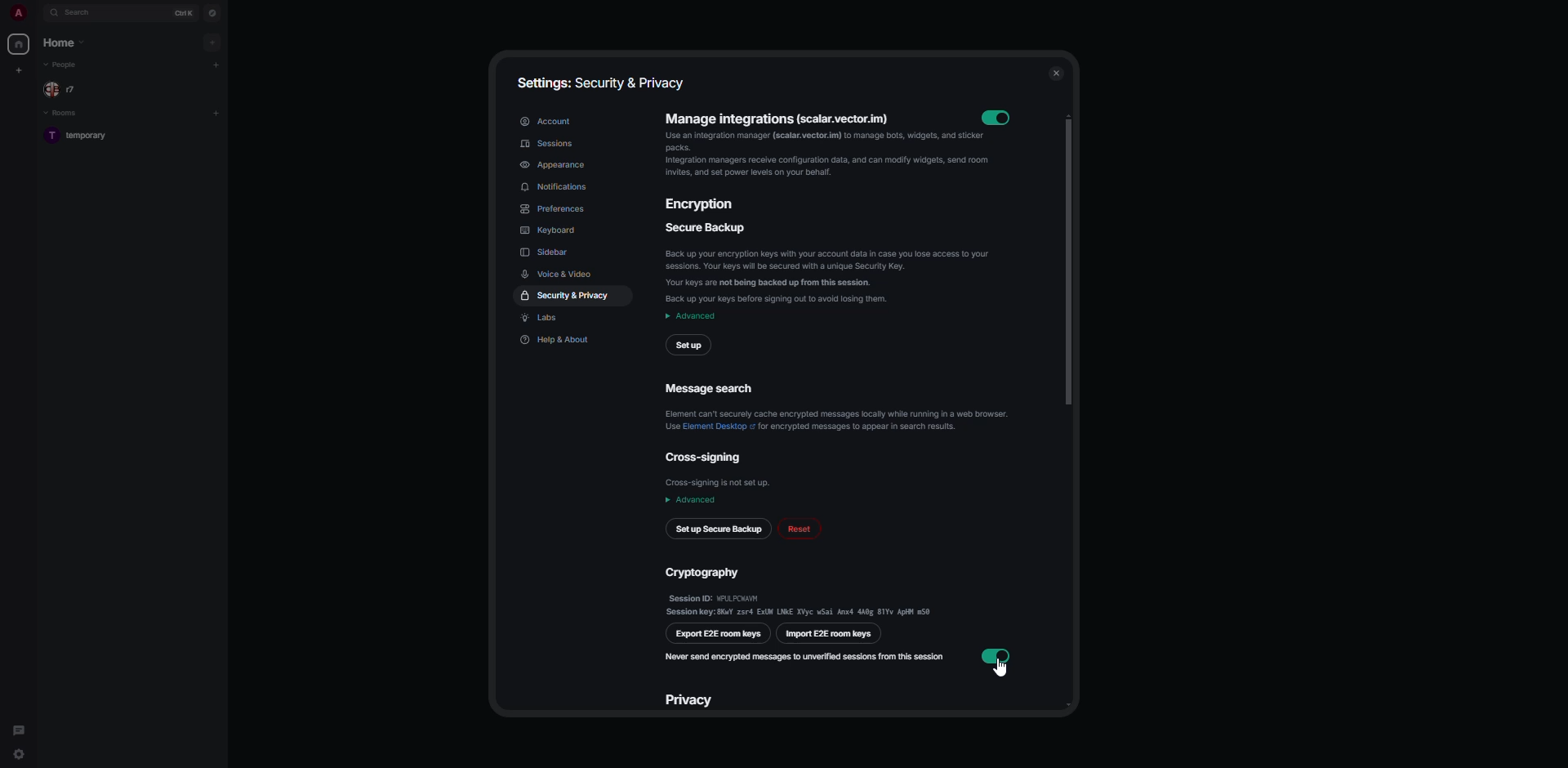 Image resolution: width=1568 pixels, height=768 pixels. I want to click on setup, so click(691, 345).